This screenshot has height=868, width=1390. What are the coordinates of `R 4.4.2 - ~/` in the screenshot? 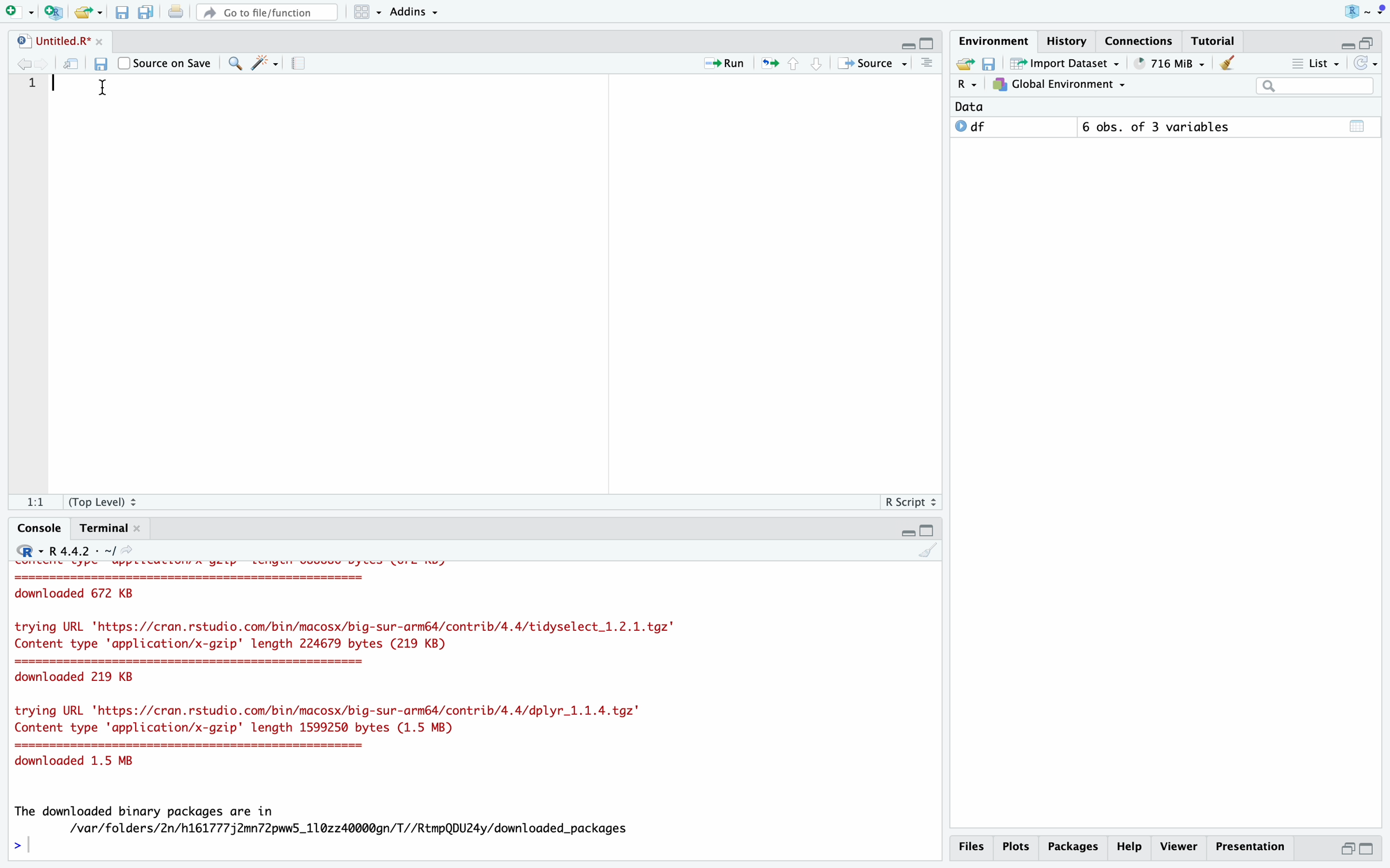 It's located at (75, 550).